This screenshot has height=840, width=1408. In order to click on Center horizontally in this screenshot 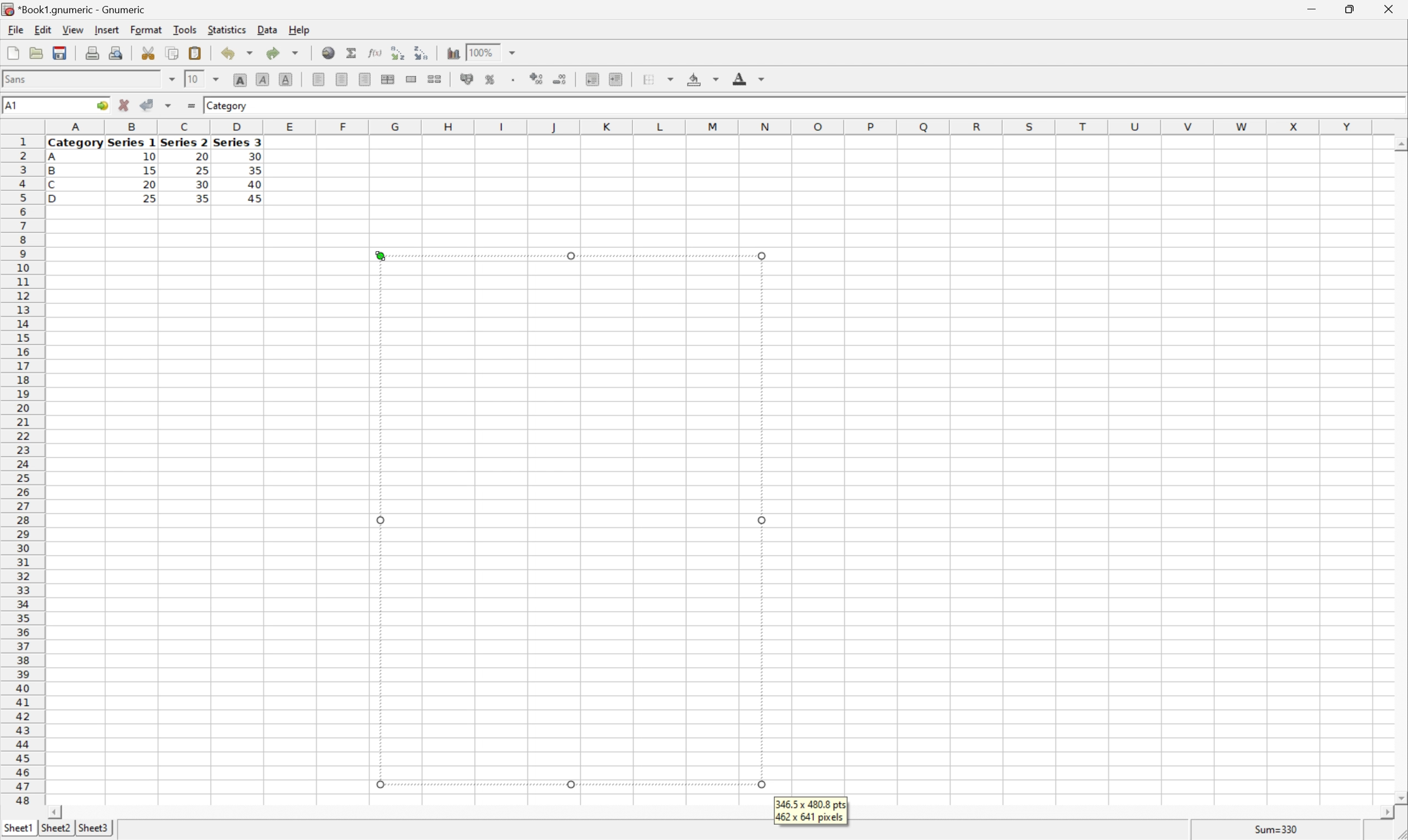, I will do `click(343, 78)`.